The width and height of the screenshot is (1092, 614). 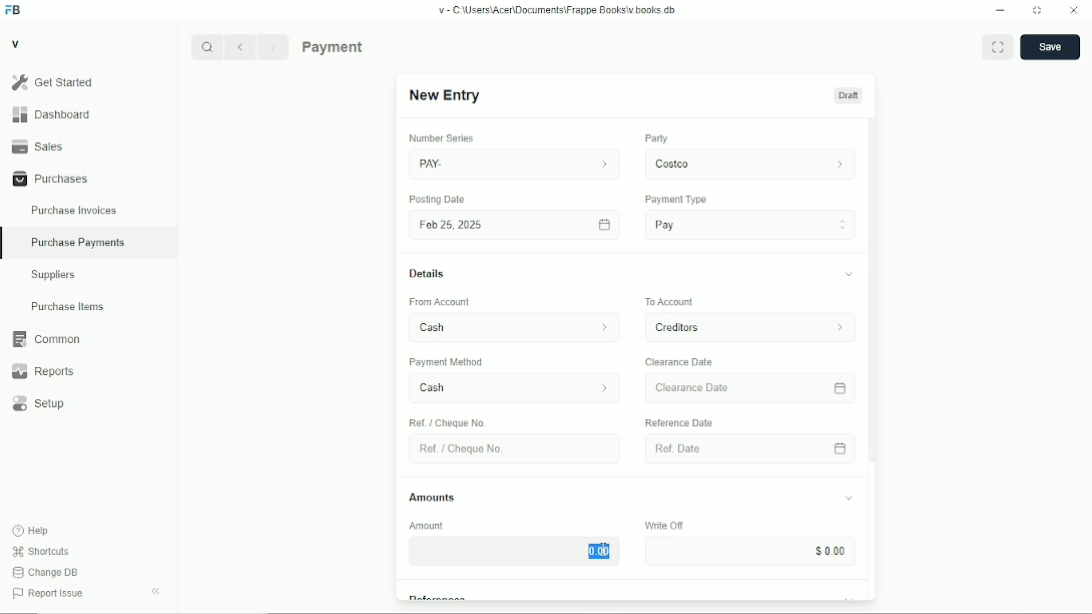 What do you see at coordinates (519, 551) in the screenshot?
I see `$000` at bounding box center [519, 551].